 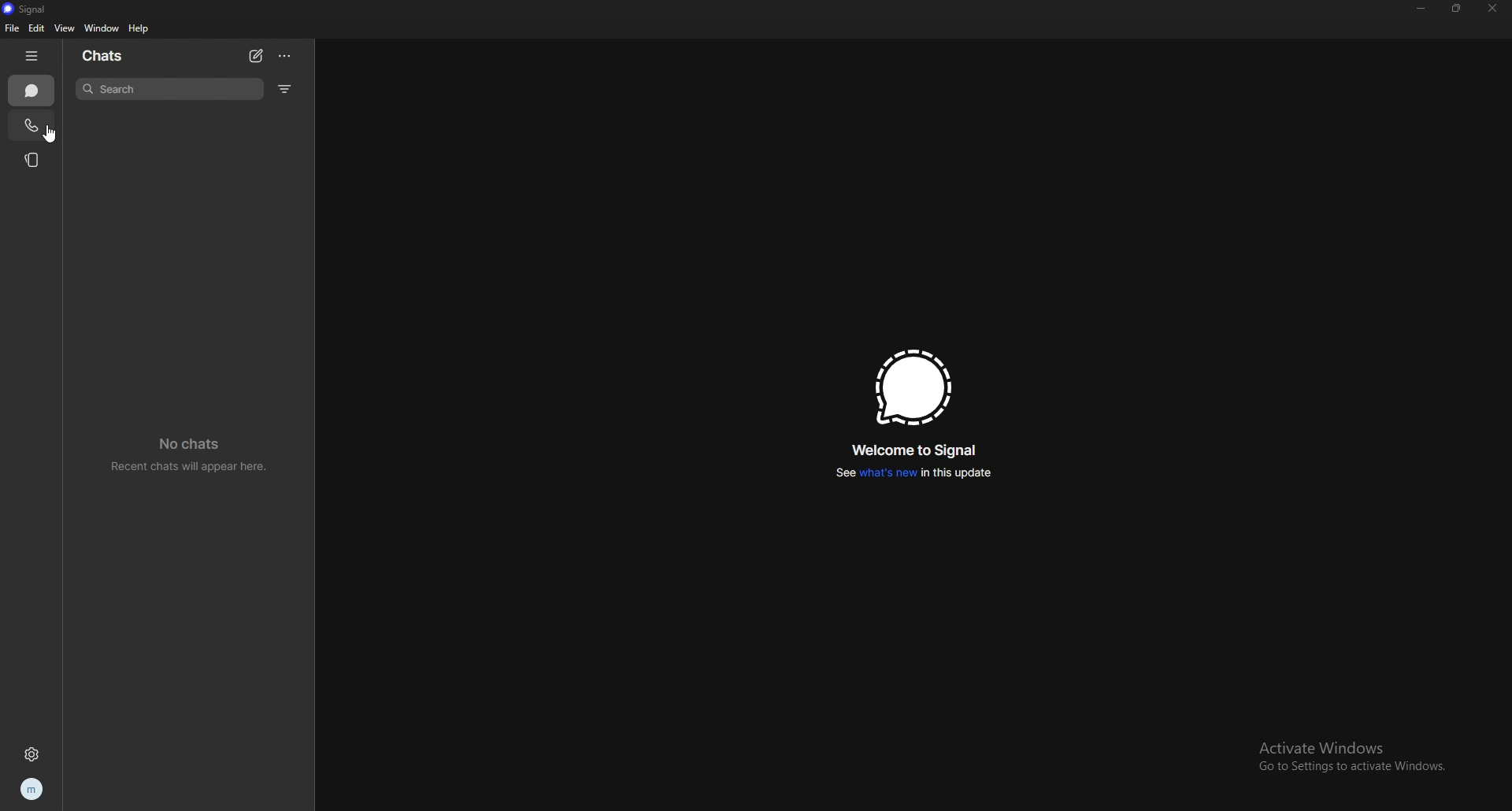 I want to click on new chat, so click(x=256, y=55).